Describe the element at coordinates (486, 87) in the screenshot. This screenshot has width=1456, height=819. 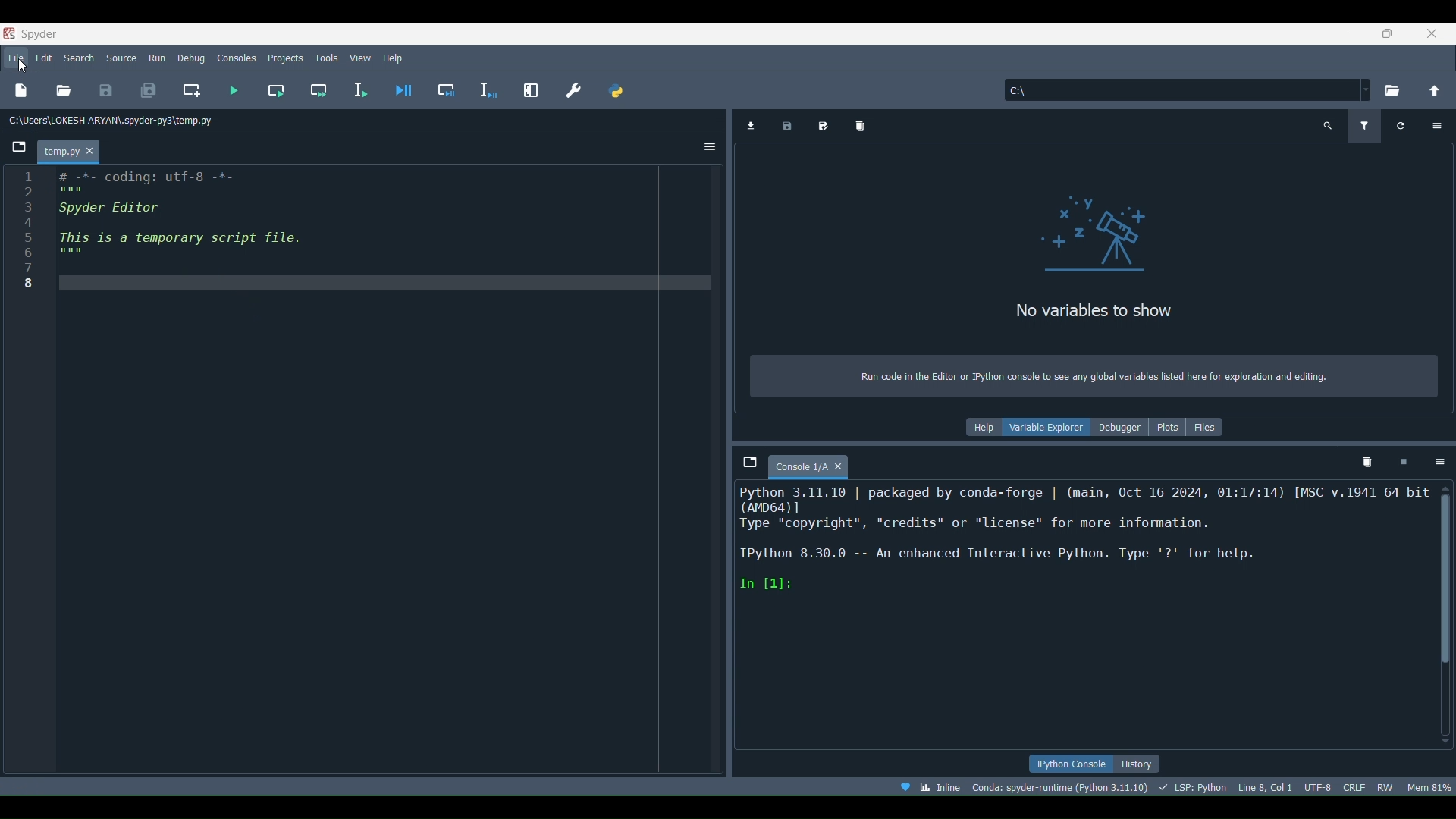
I see `Debug selection or current line` at that location.